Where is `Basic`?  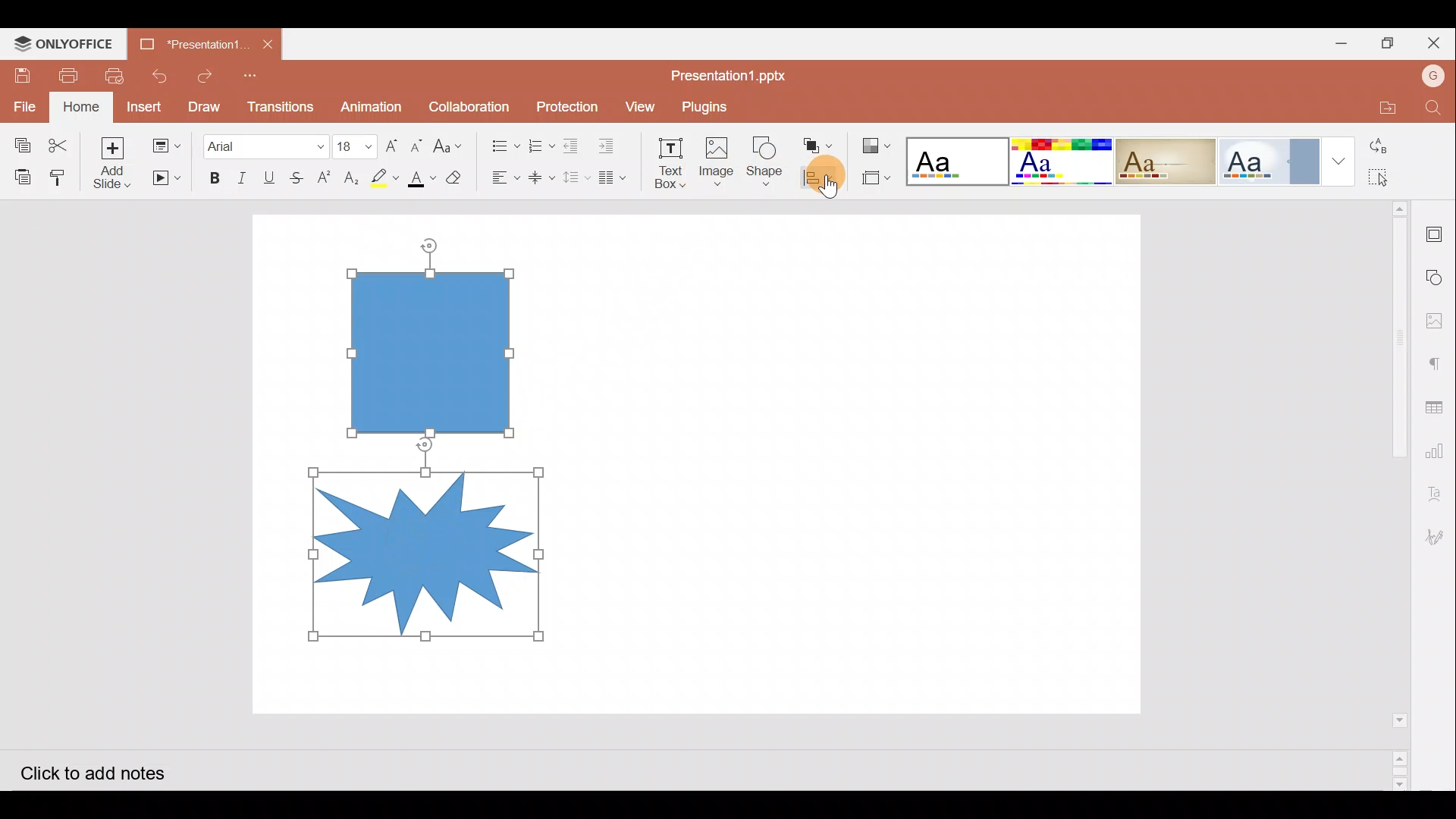
Basic is located at coordinates (1060, 162).